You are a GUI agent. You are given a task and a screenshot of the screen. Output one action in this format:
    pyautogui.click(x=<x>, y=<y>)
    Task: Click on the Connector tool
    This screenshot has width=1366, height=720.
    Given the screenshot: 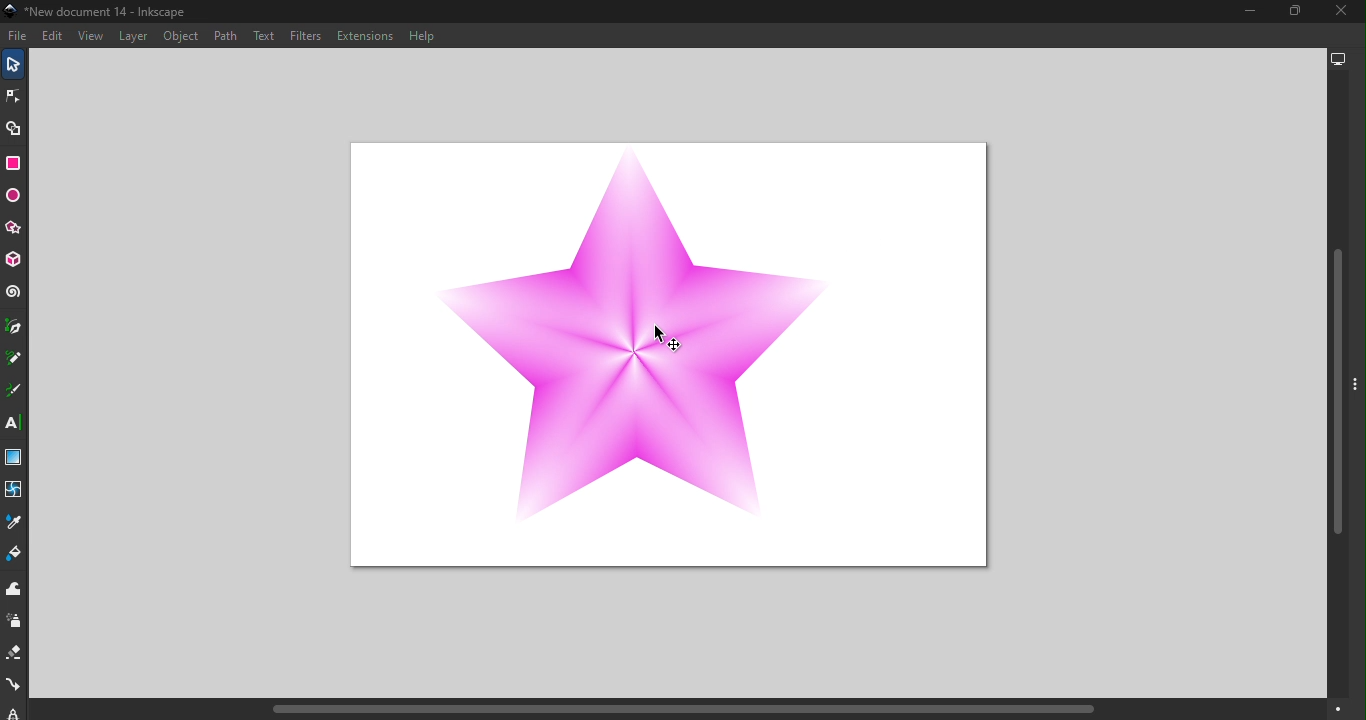 What is the action you would take?
    pyautogui.click(x=14, y=687)
    